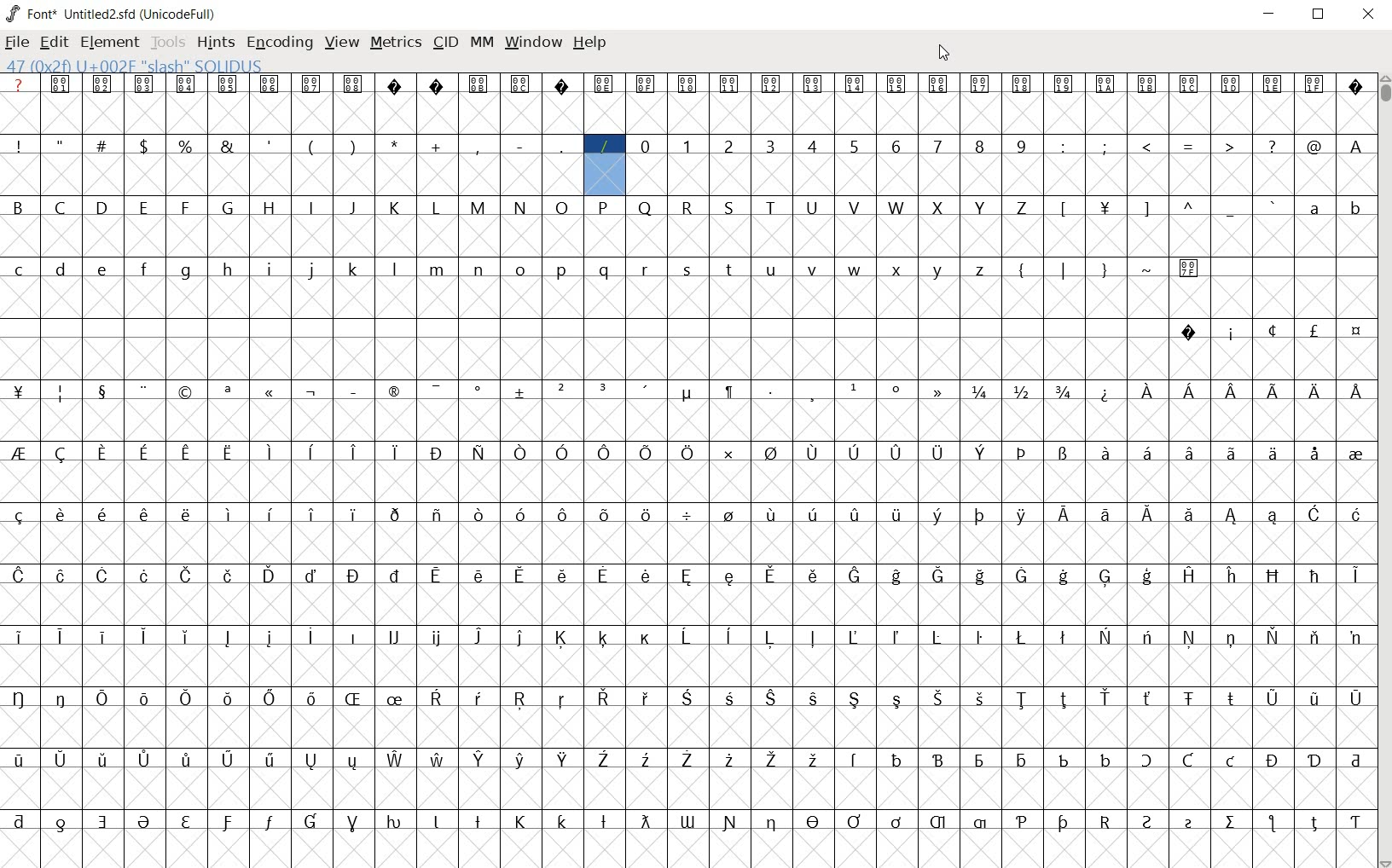 Image resolution: width=1392 pixels, height=868 pixels. What do you see at coordinates (520, 760) in the screenshot?
I see `glyph` at bounding box center [520, 760].